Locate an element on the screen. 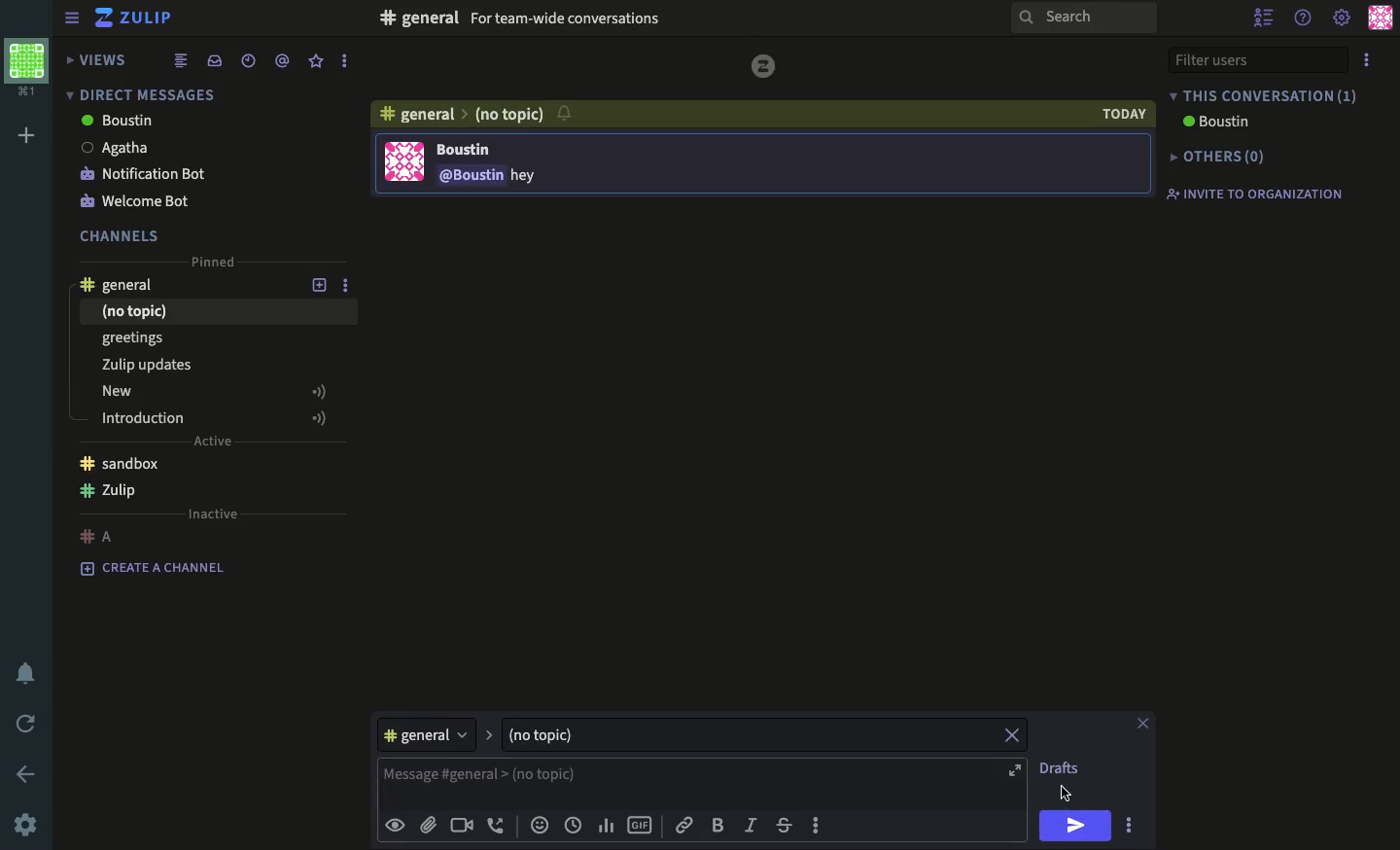 The height and width of the screenshot is (850, 1400). welcome bot is located at coordinates (138, 203).